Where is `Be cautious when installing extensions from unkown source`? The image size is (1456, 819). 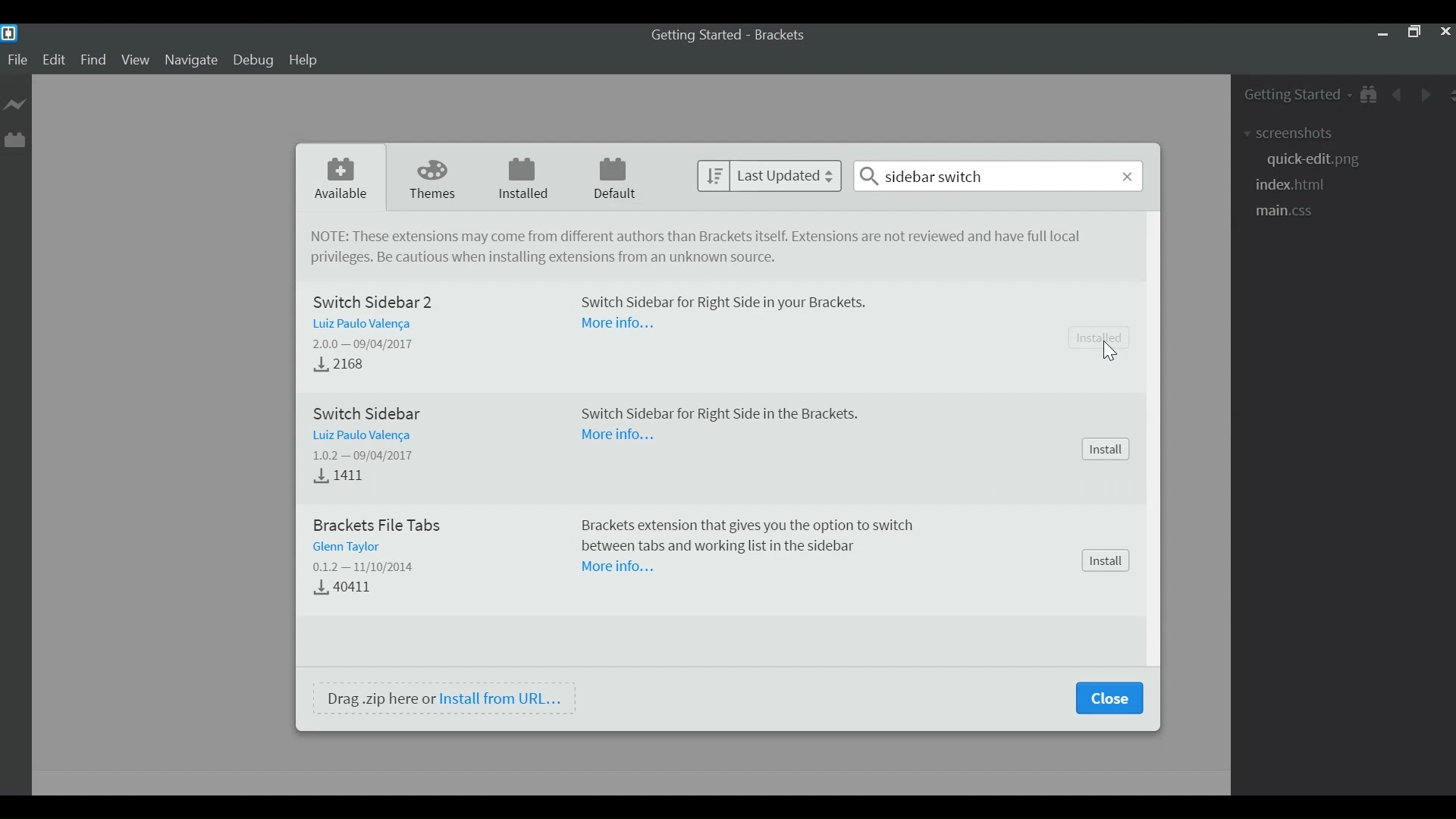 Be cautious when installing extensions from unkown source is located at coordinates (542, 259).